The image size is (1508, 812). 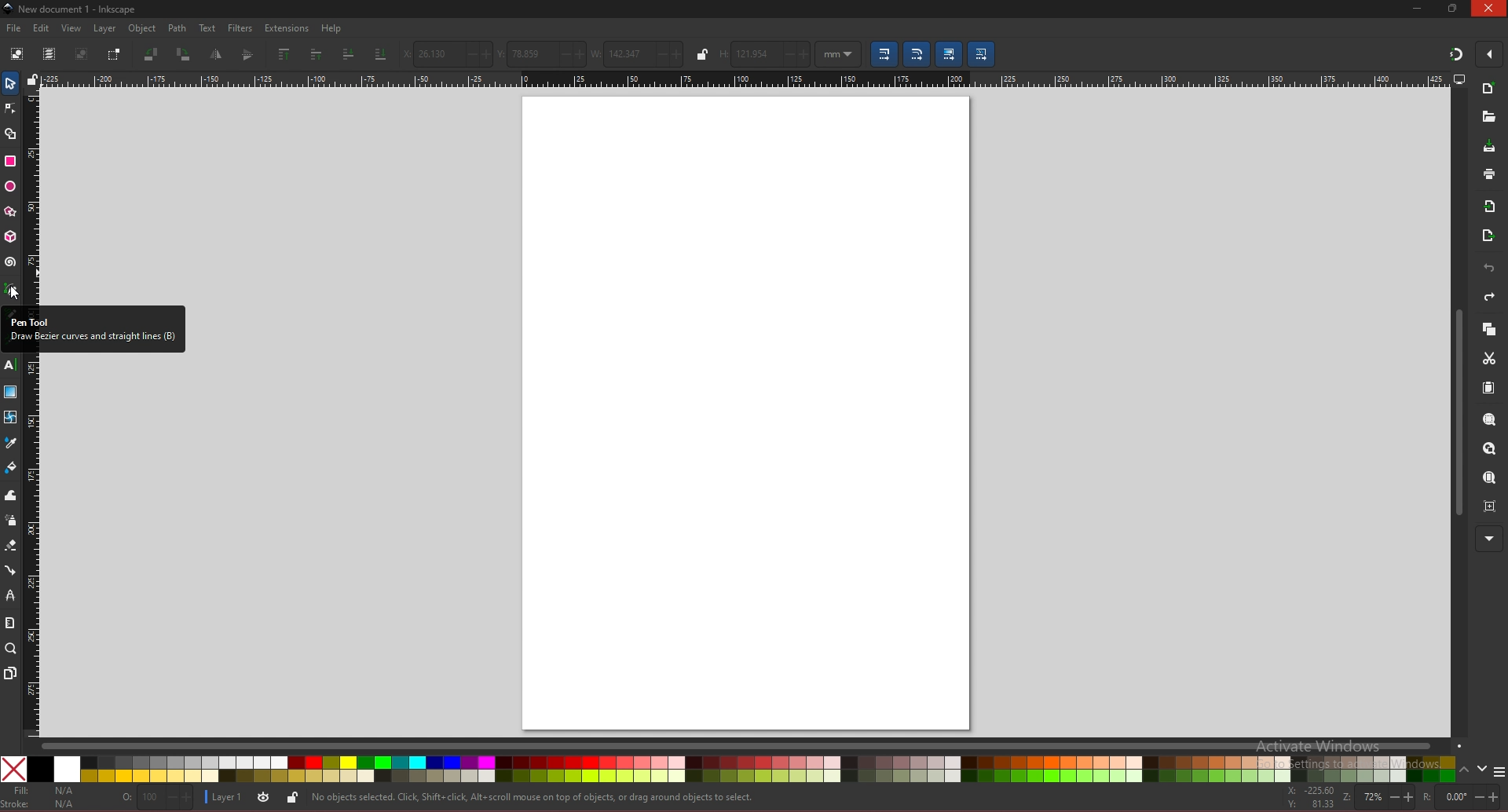 I want to click on path, so click(x=178, y=28).